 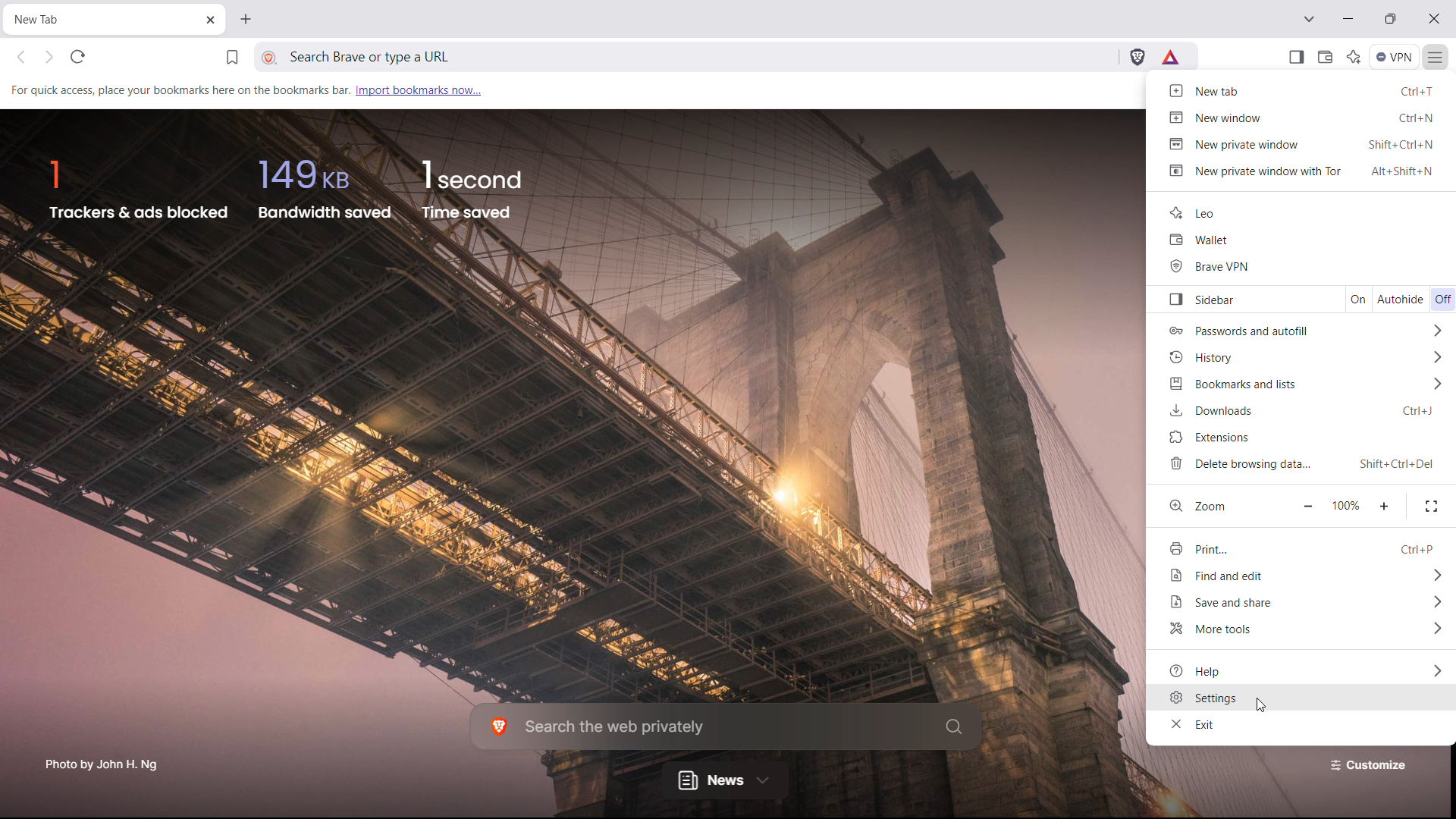 I want to click on extensions, so click(x=1303, y=435).